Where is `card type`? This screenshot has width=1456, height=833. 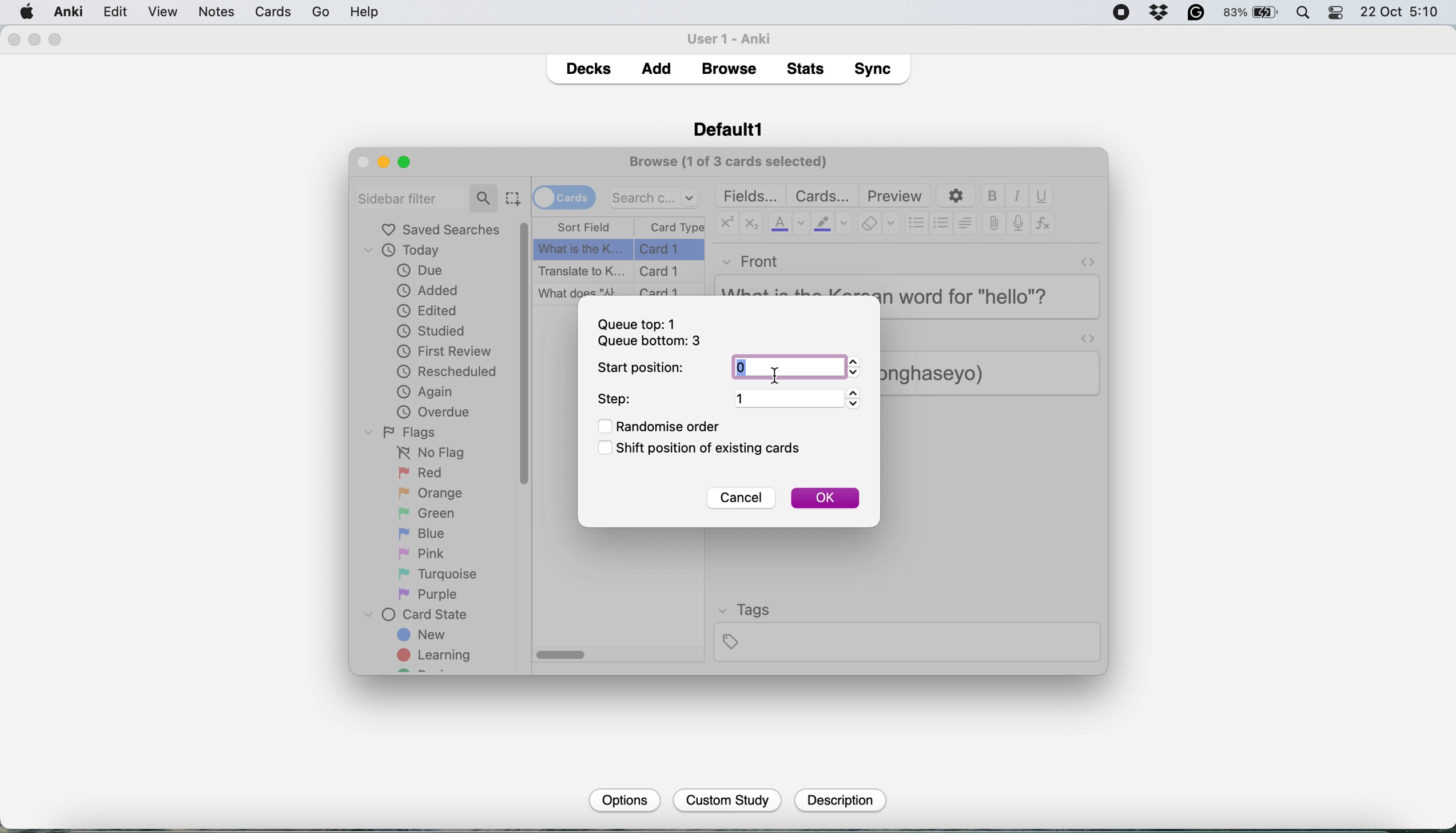
card type is located at coordinates (675, 228).